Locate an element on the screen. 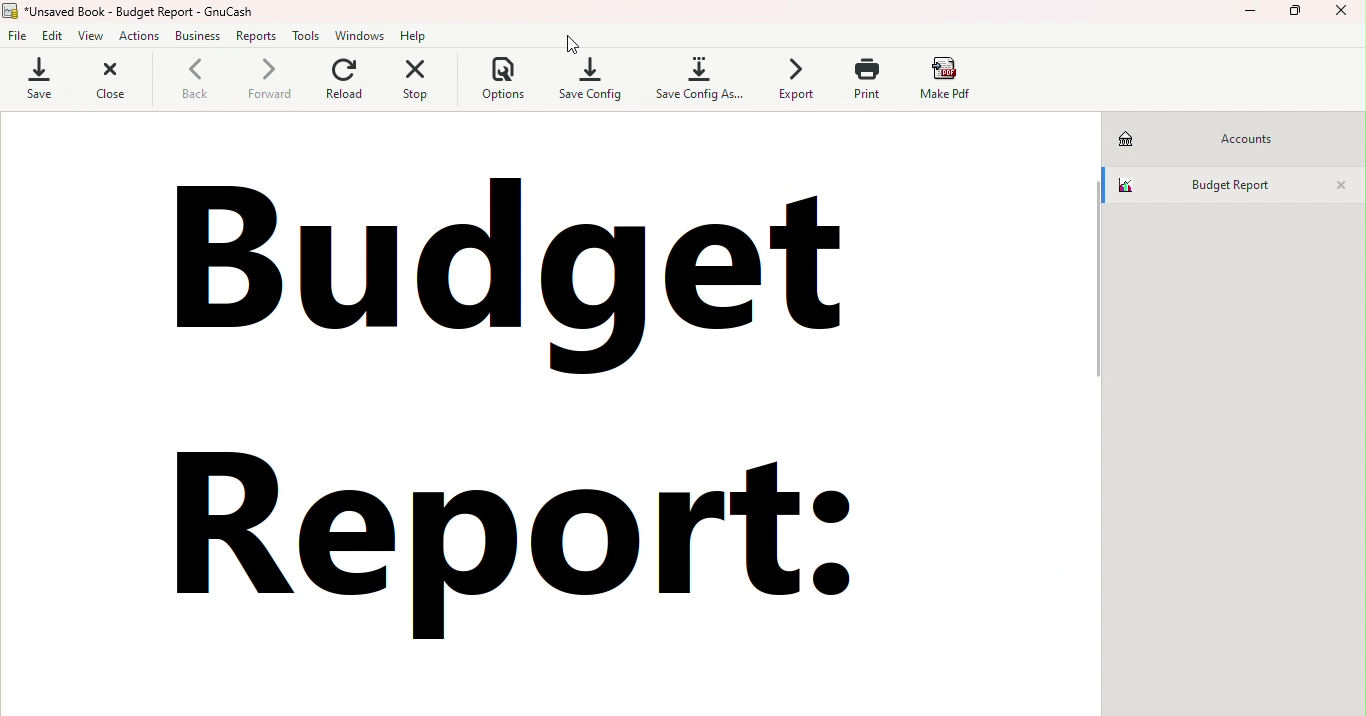 The height and width of the screenshot is (716, 1366). Windows is located at coordinates (360, 38).